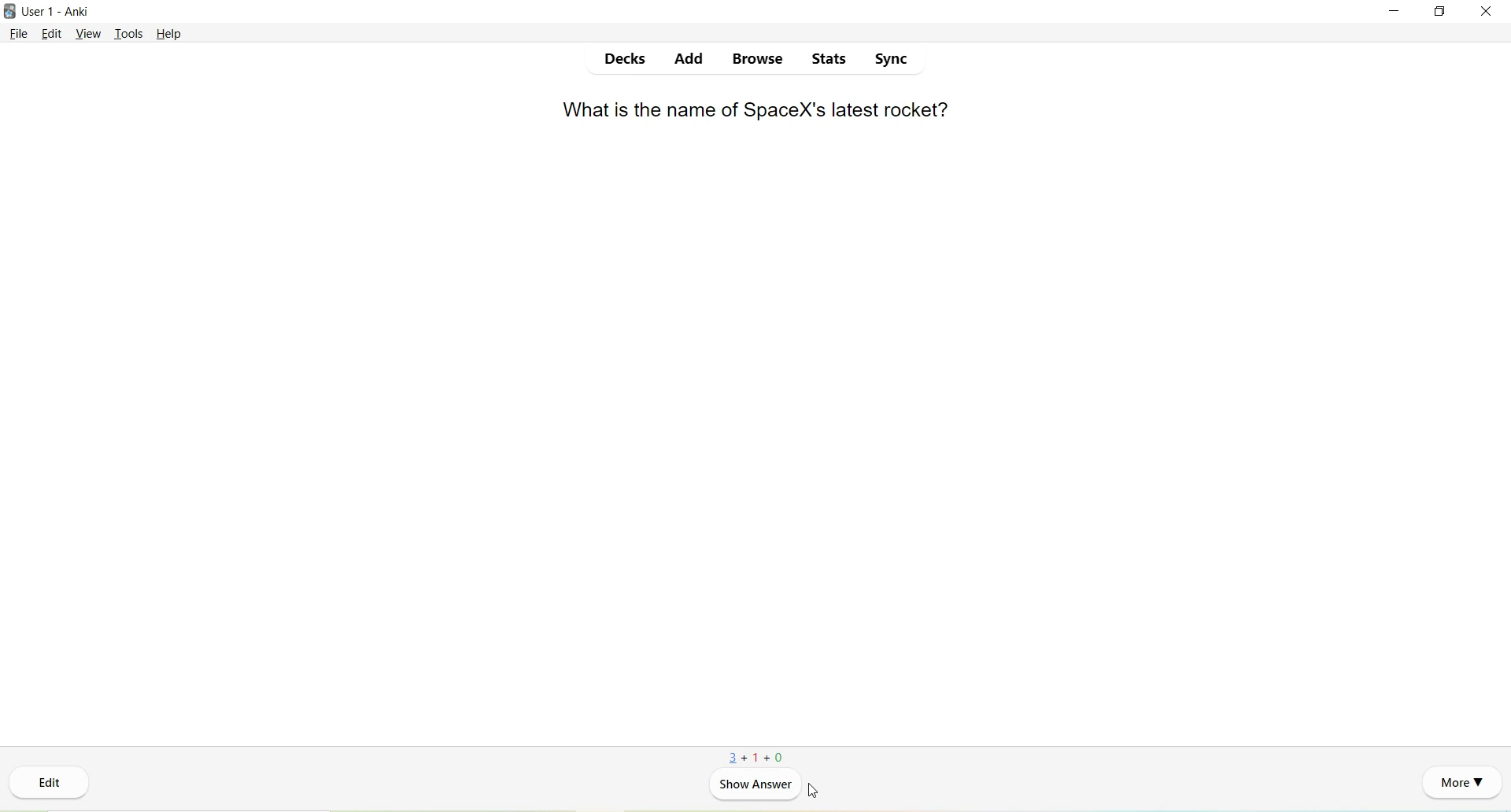  I want to click on Help, so click(170, 35).